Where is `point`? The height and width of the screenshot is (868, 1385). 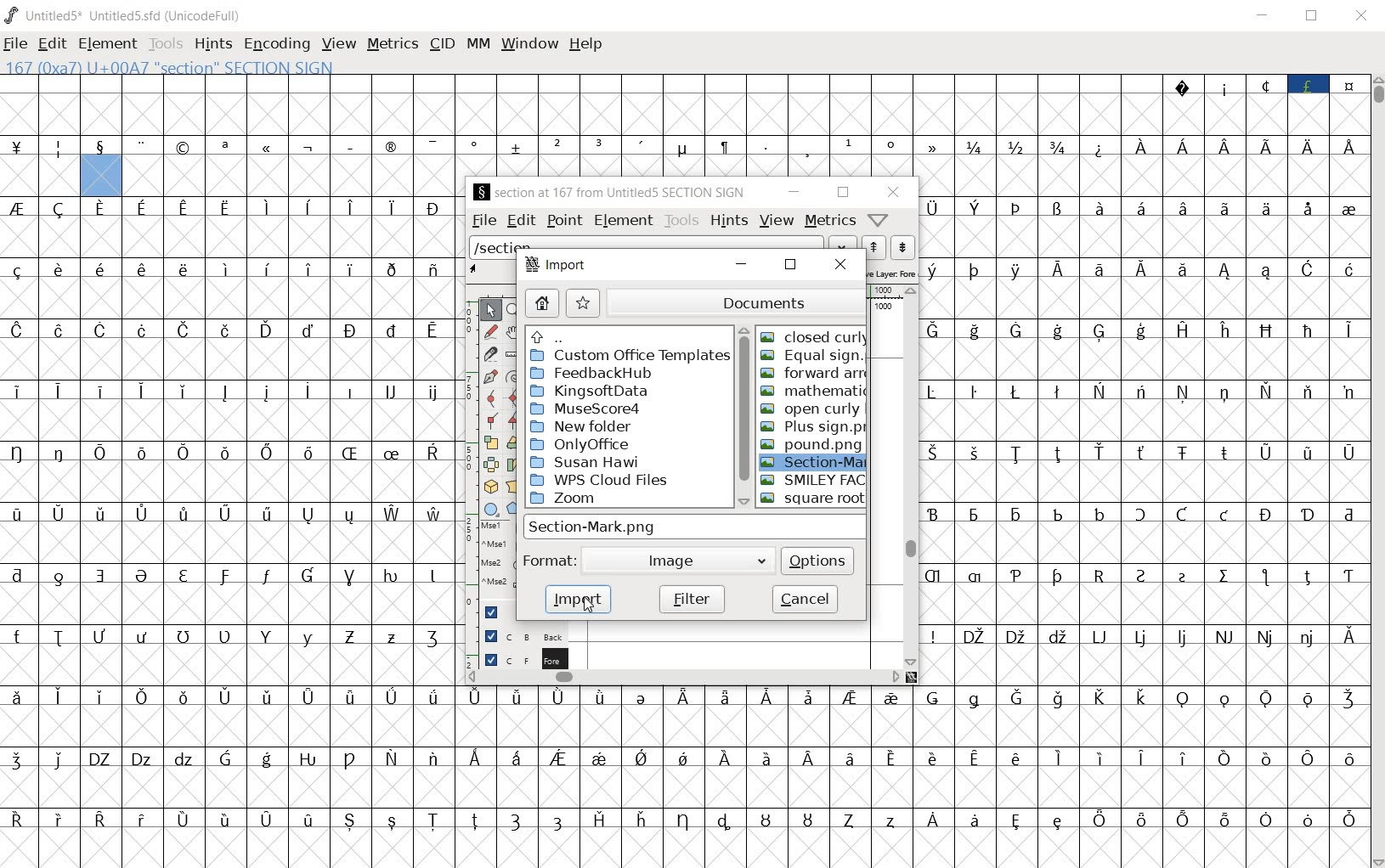 point is located at coordinates (563, 220).